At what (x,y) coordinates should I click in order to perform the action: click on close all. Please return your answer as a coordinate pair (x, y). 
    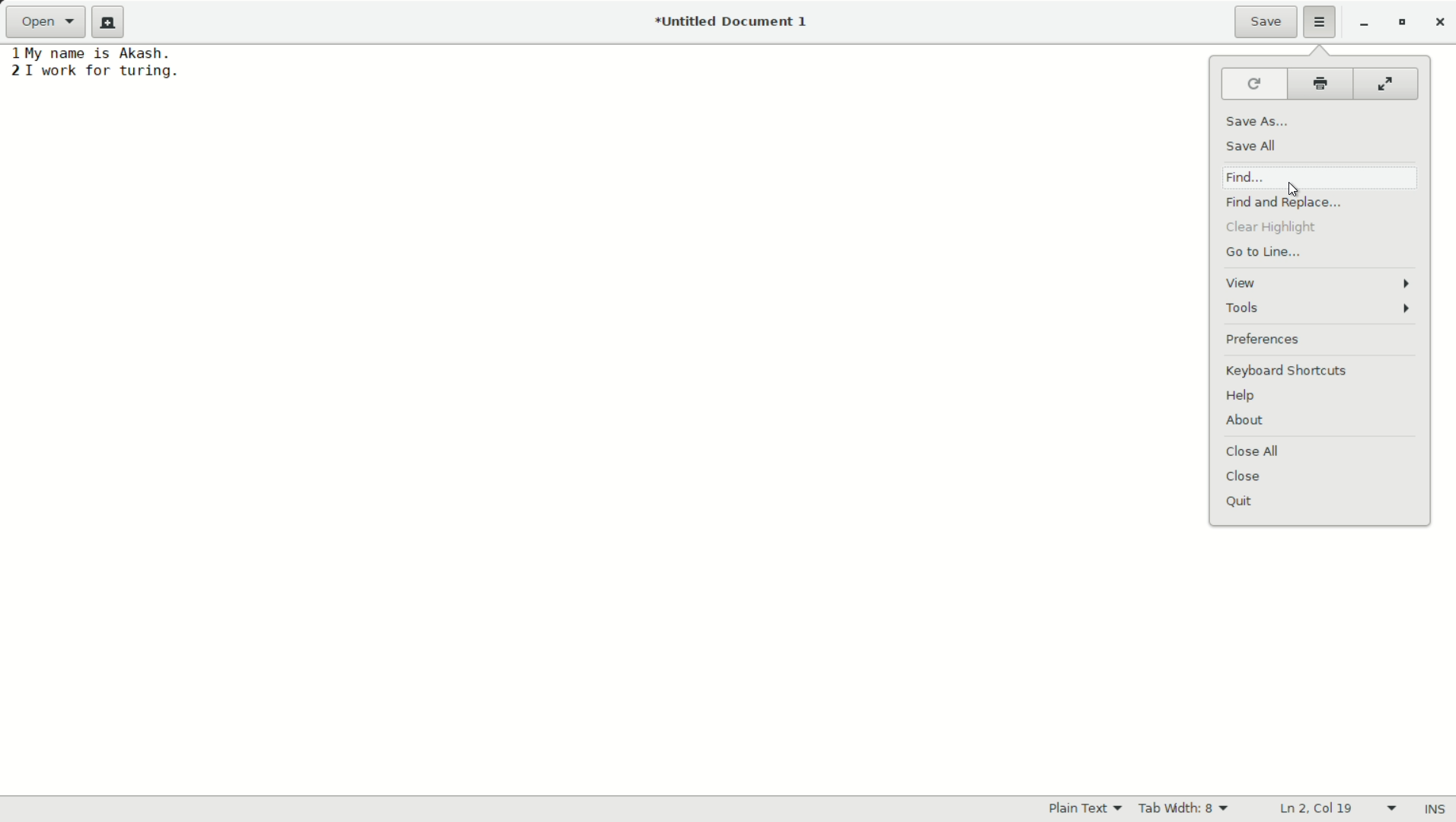
    Looking at the image, I should click on (1253, 453).